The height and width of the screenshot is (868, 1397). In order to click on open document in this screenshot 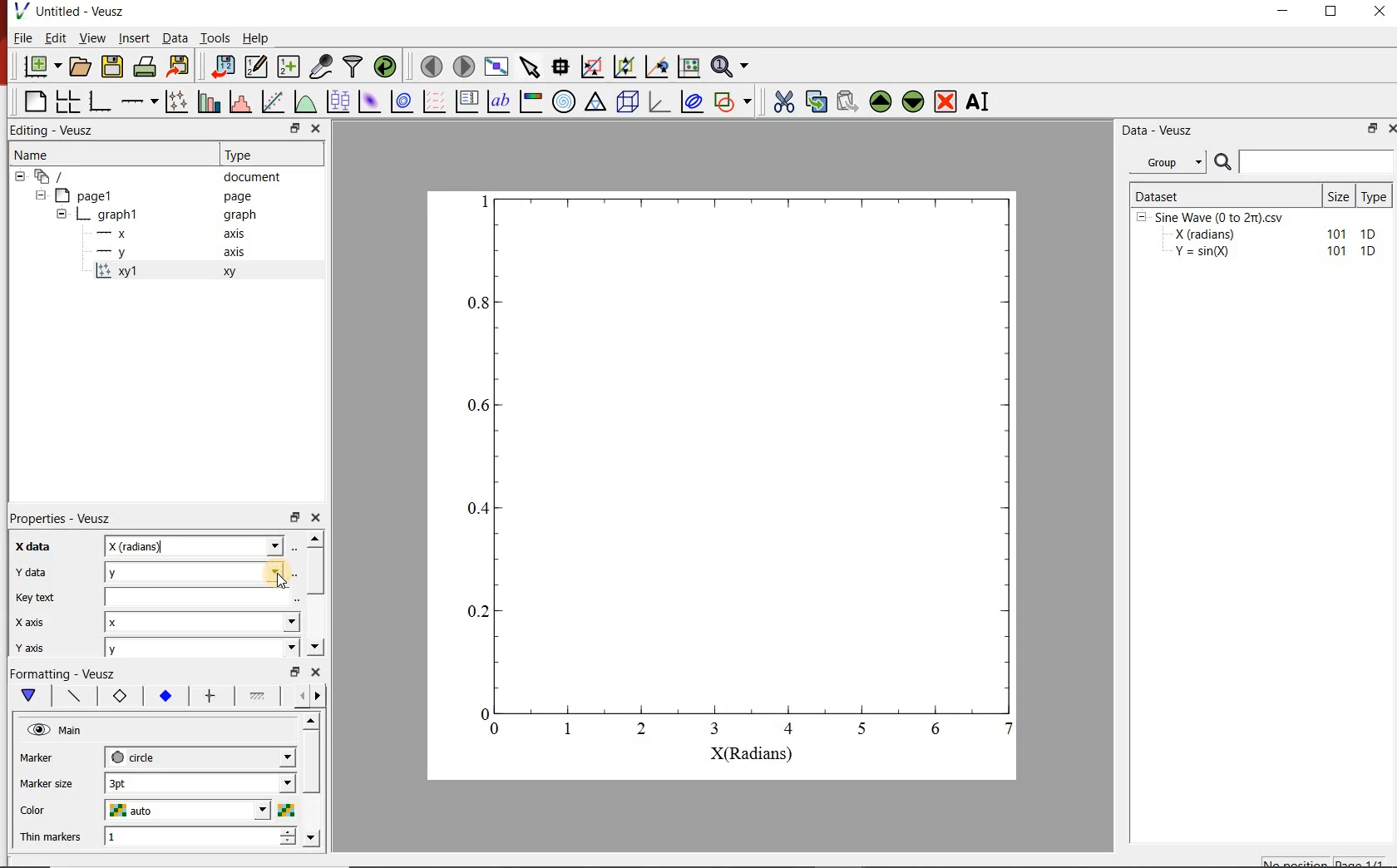, I will do `click(81, 67)`.